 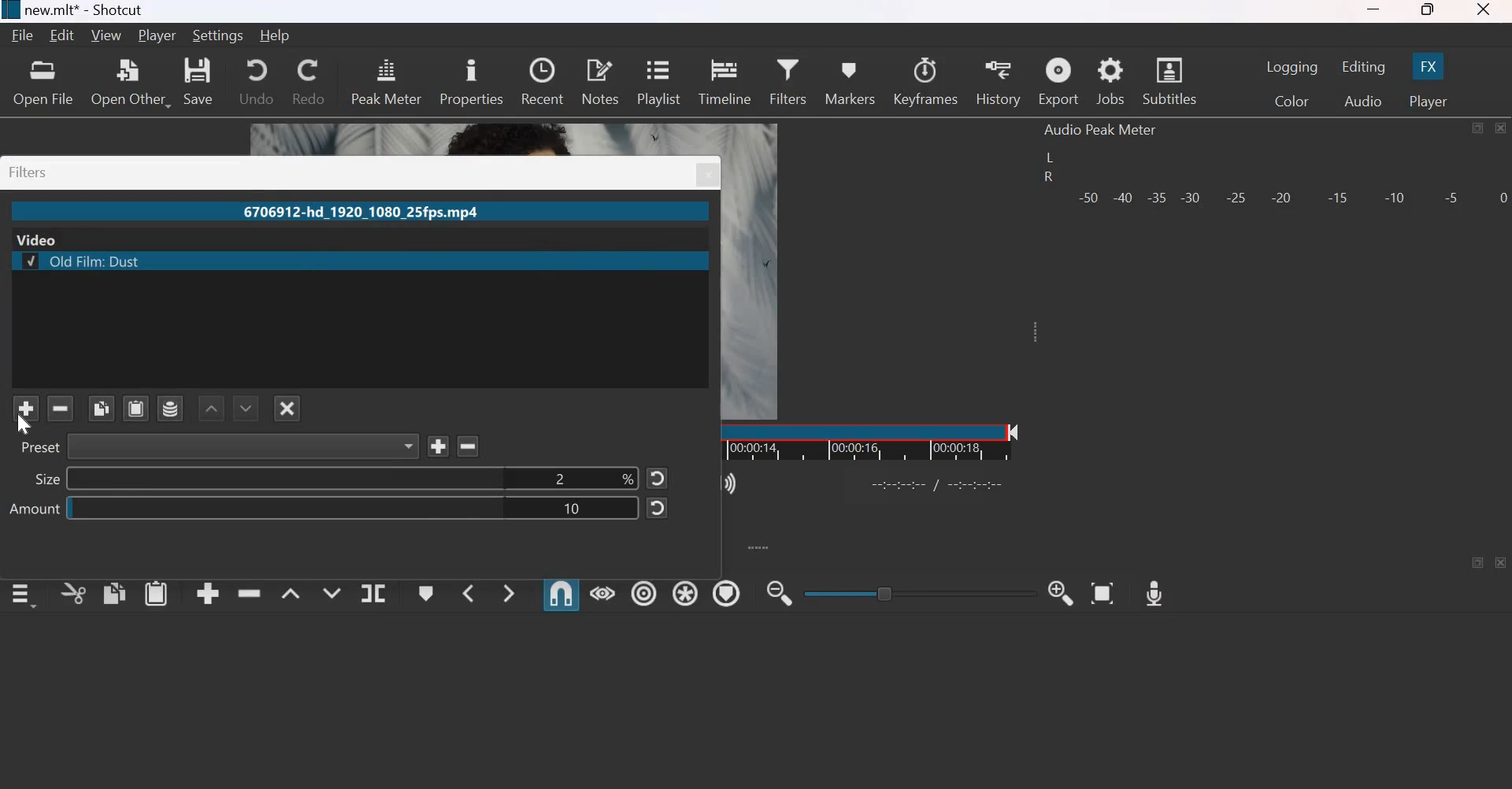 What do you see at coordinates (310, 82) in the screenshot?
I see `Redo` at bounding box center [310, 82].